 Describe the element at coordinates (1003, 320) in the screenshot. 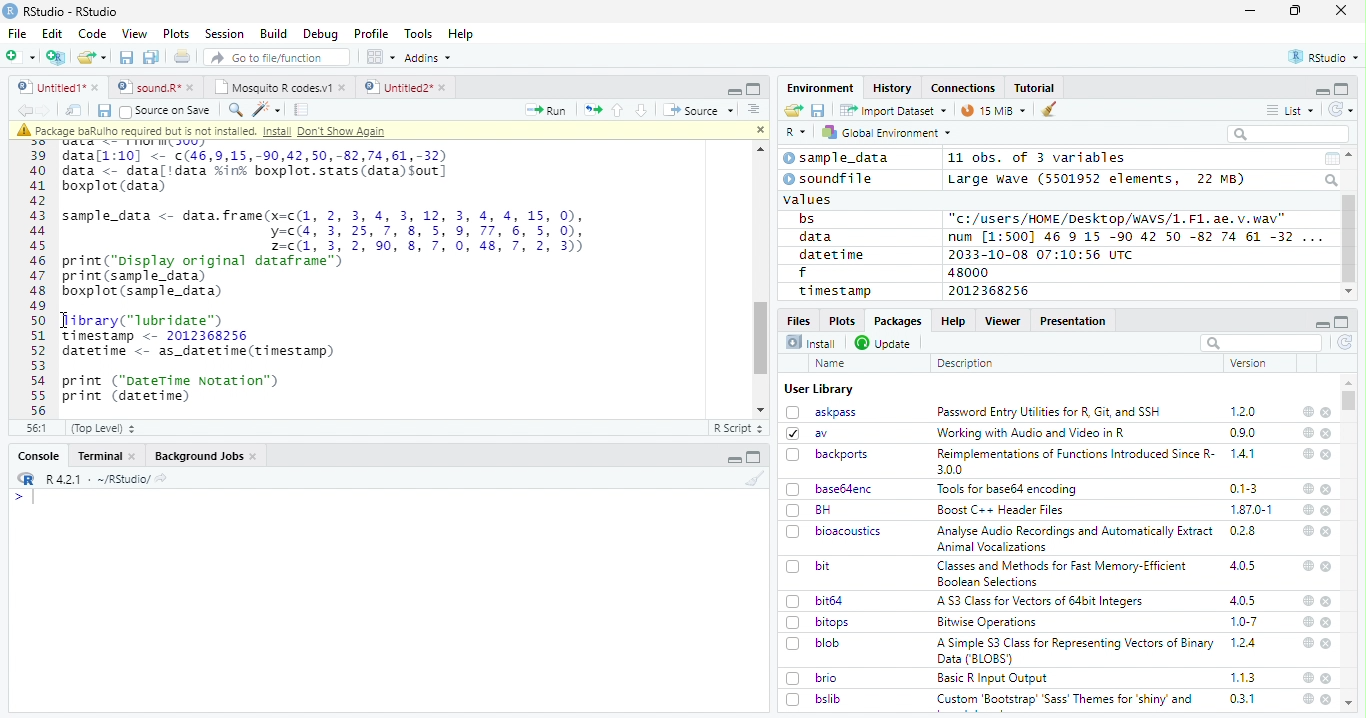

I see `Viewer` at that location.